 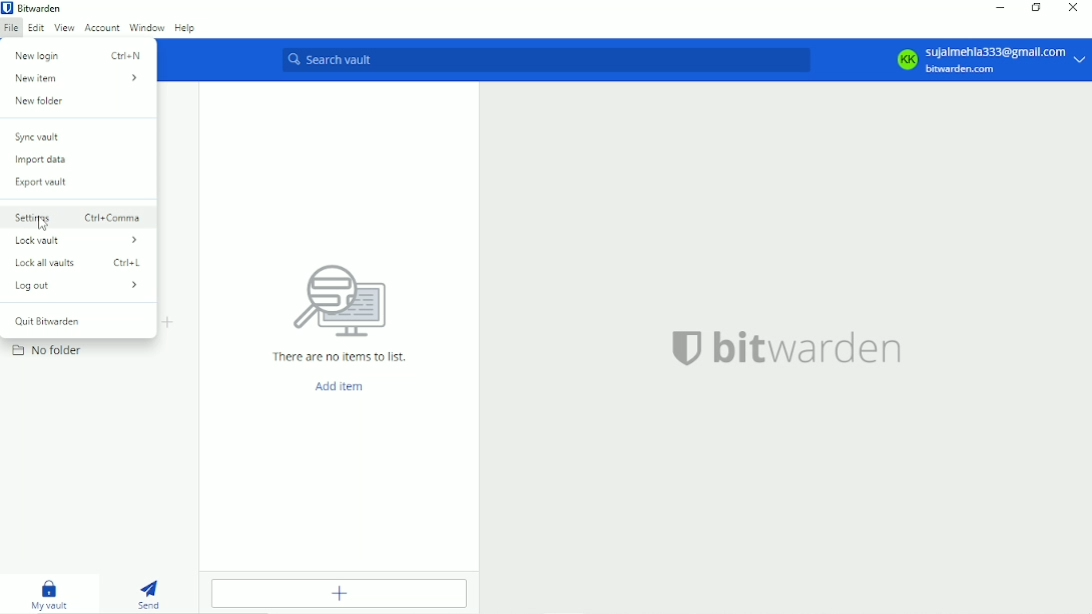 I want to click on Quit bitwarden, so click(x=46, y=321).